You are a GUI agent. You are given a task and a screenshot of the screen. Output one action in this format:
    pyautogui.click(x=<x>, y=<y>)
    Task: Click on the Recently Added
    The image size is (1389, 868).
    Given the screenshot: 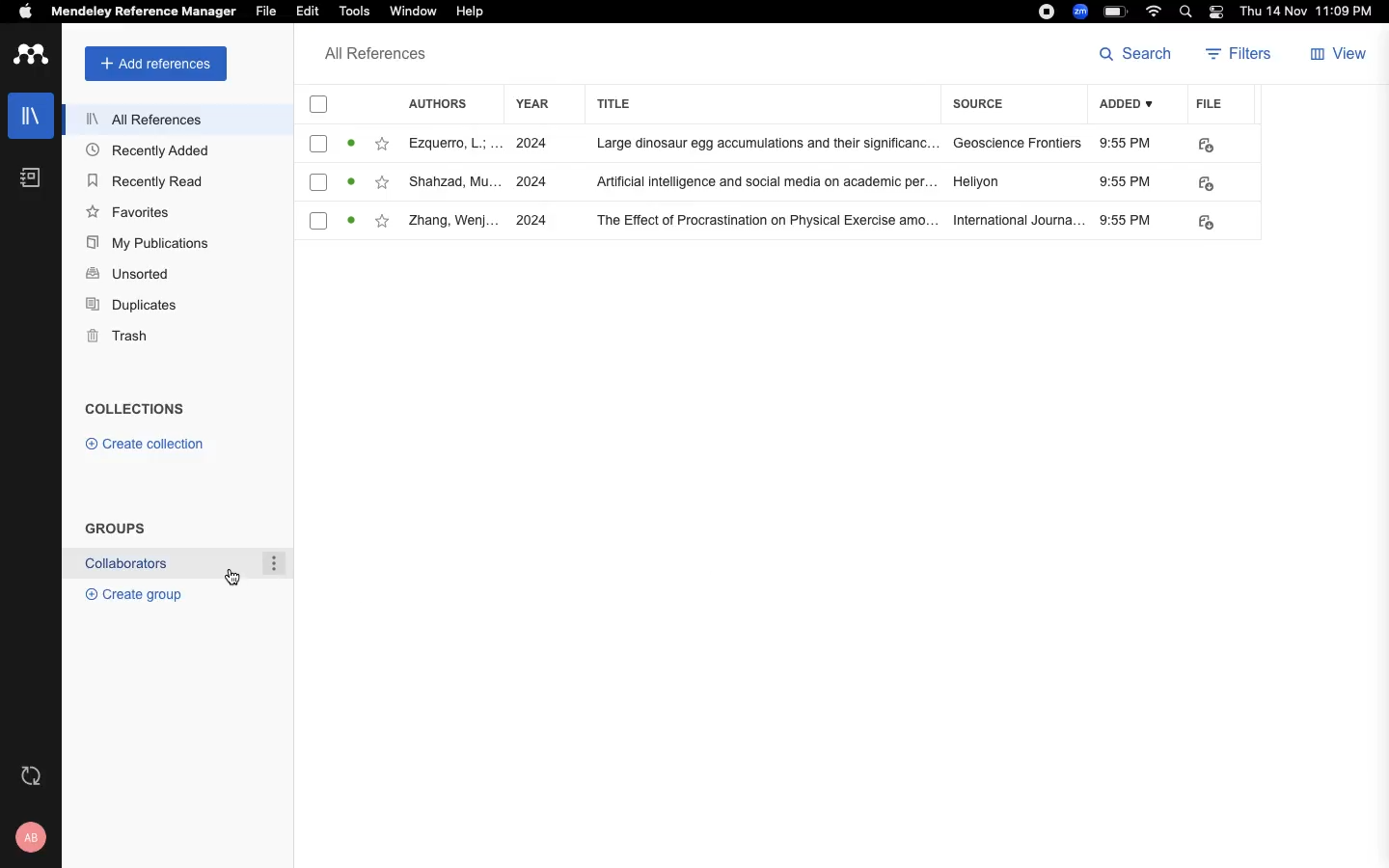 What is the action you would take?
    pyautogui.click(x=153, y=149)
    